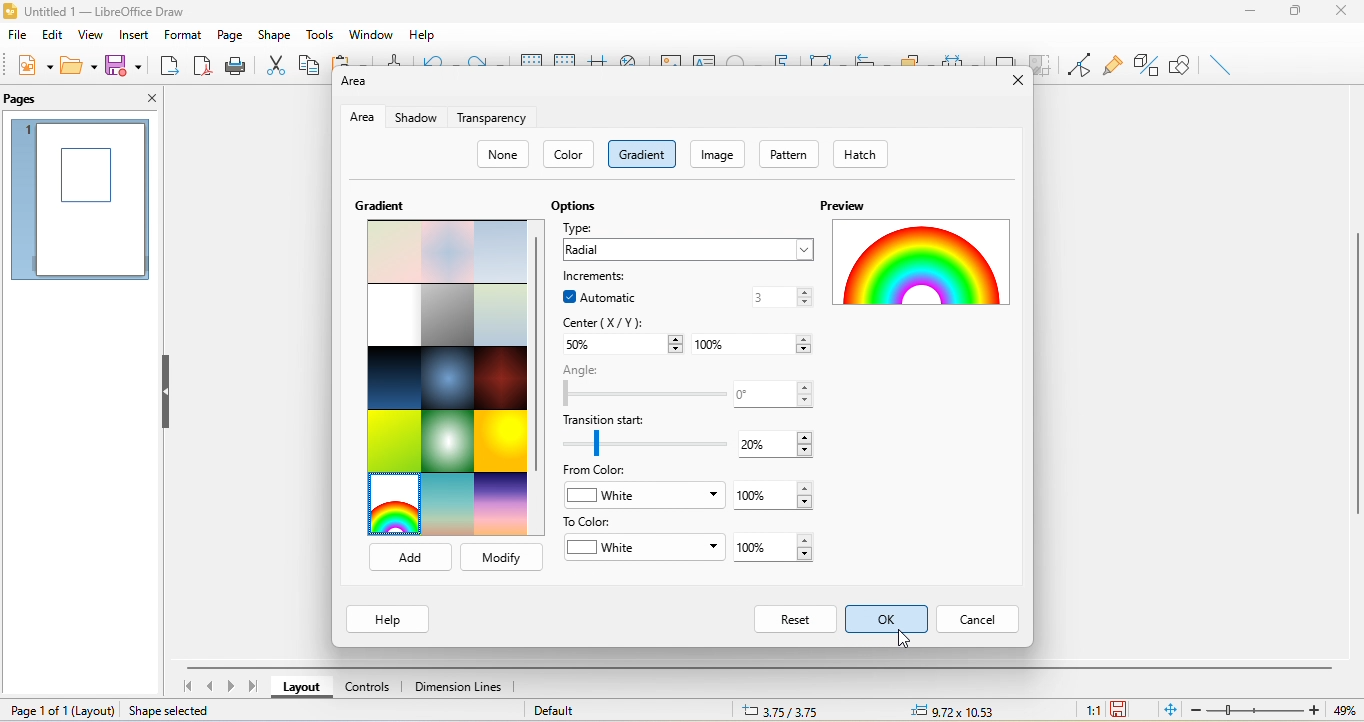  I want to click on pattern, so click(790, 153).